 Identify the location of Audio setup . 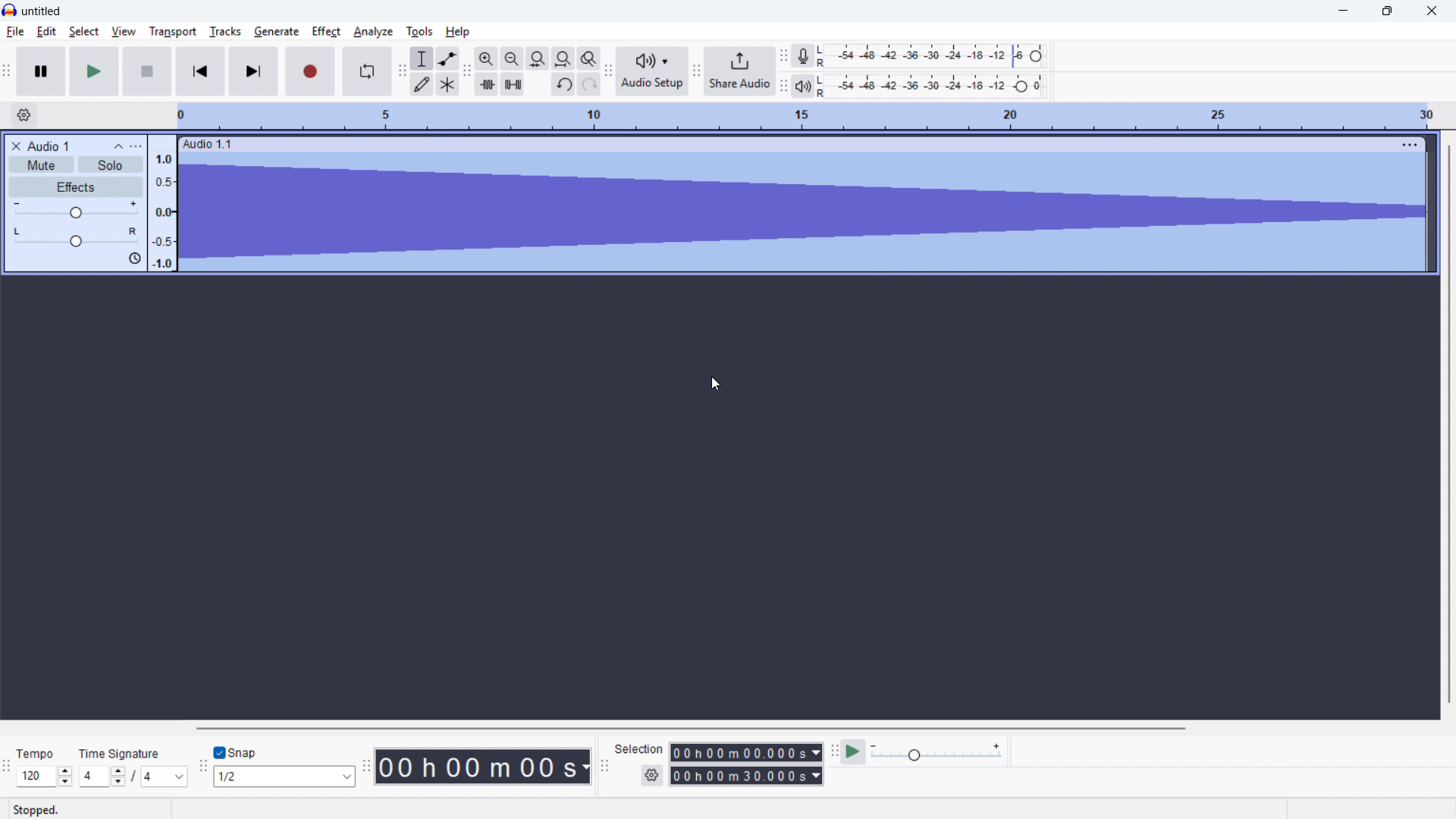
(654, 71).